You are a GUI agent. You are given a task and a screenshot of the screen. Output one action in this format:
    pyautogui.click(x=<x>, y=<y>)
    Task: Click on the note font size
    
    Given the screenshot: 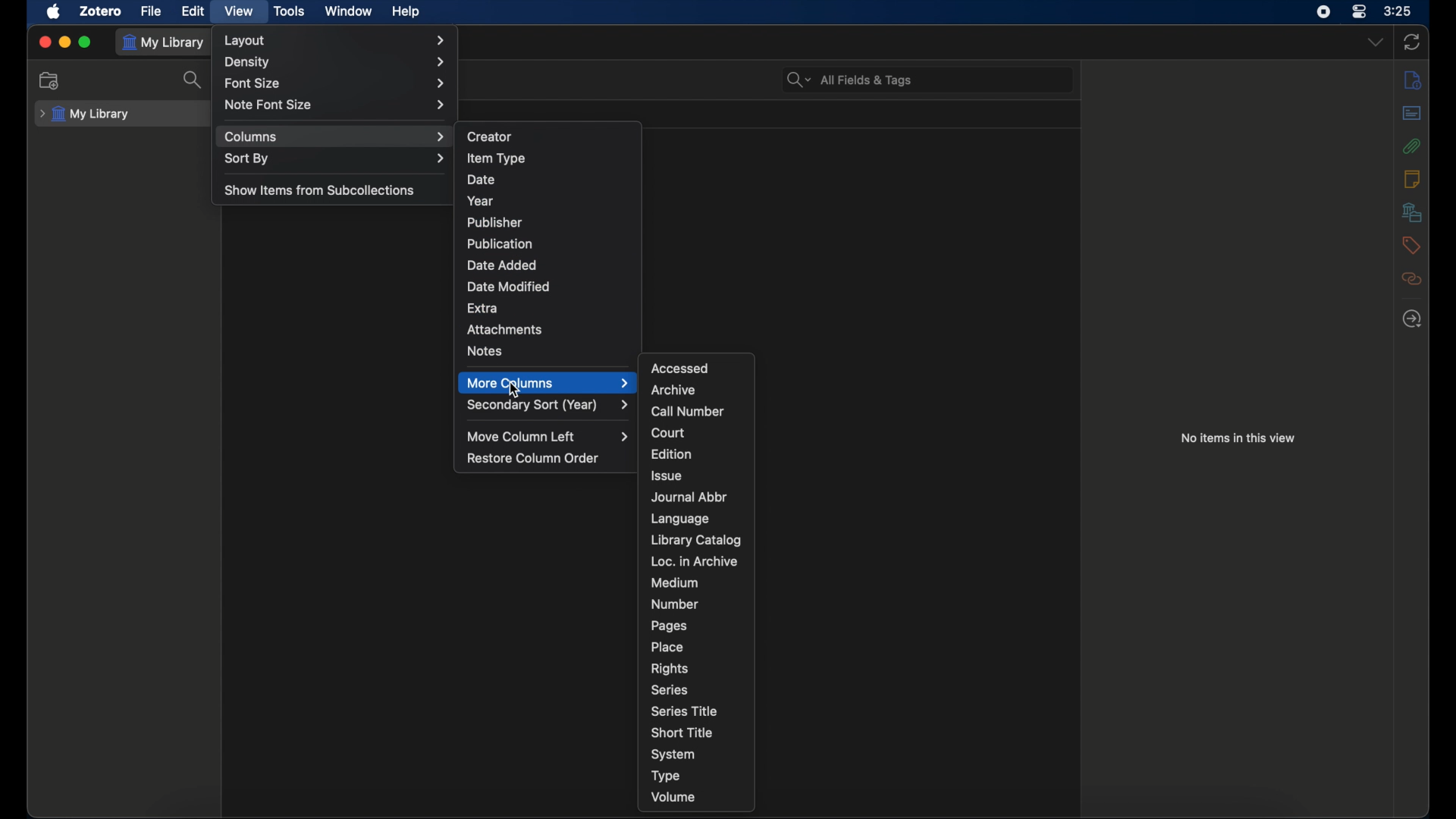 What is the action you would take?
    pyautogui.click(x=334, y=105)
    